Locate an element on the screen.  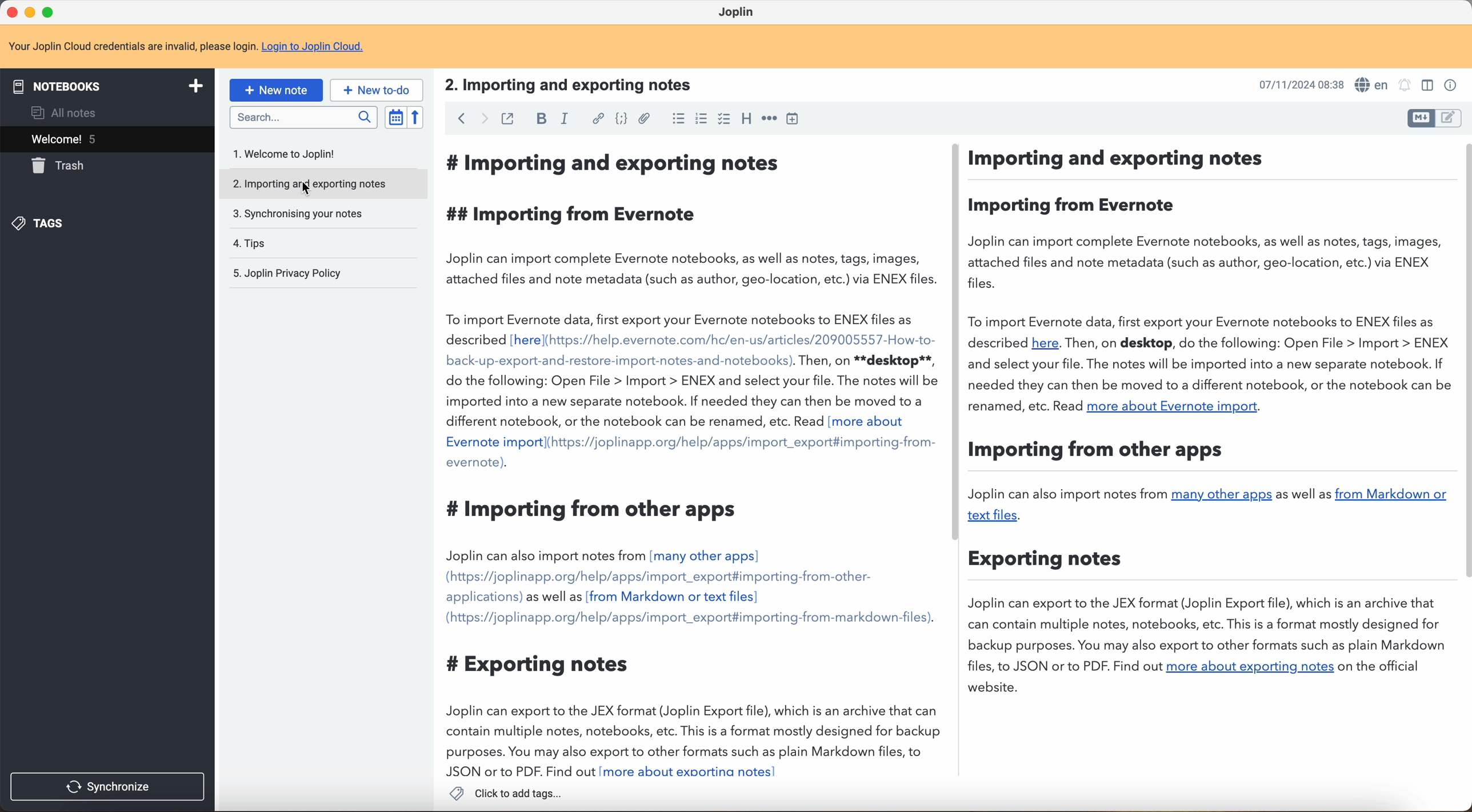
scroll bar is located at coordinates (1463, 361).